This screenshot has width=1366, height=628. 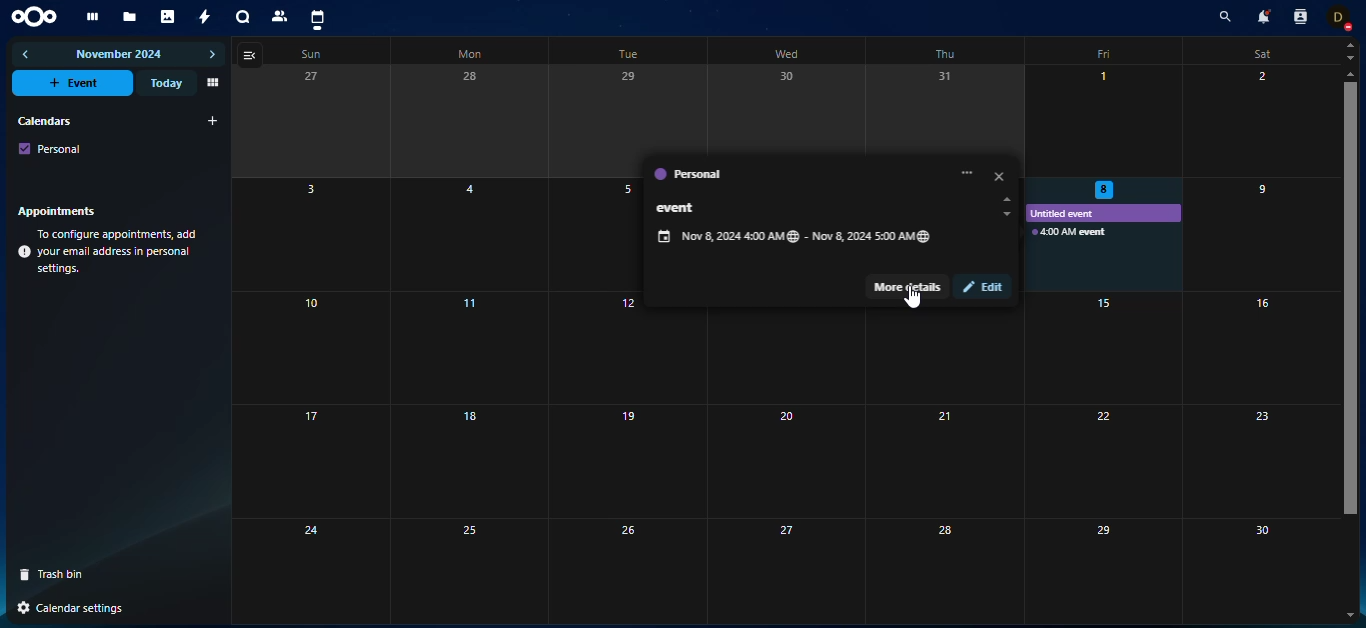 What do you see at coordinates (1000, 176) in the screenshot?
I see `close` at bounding box center [1000, 176].